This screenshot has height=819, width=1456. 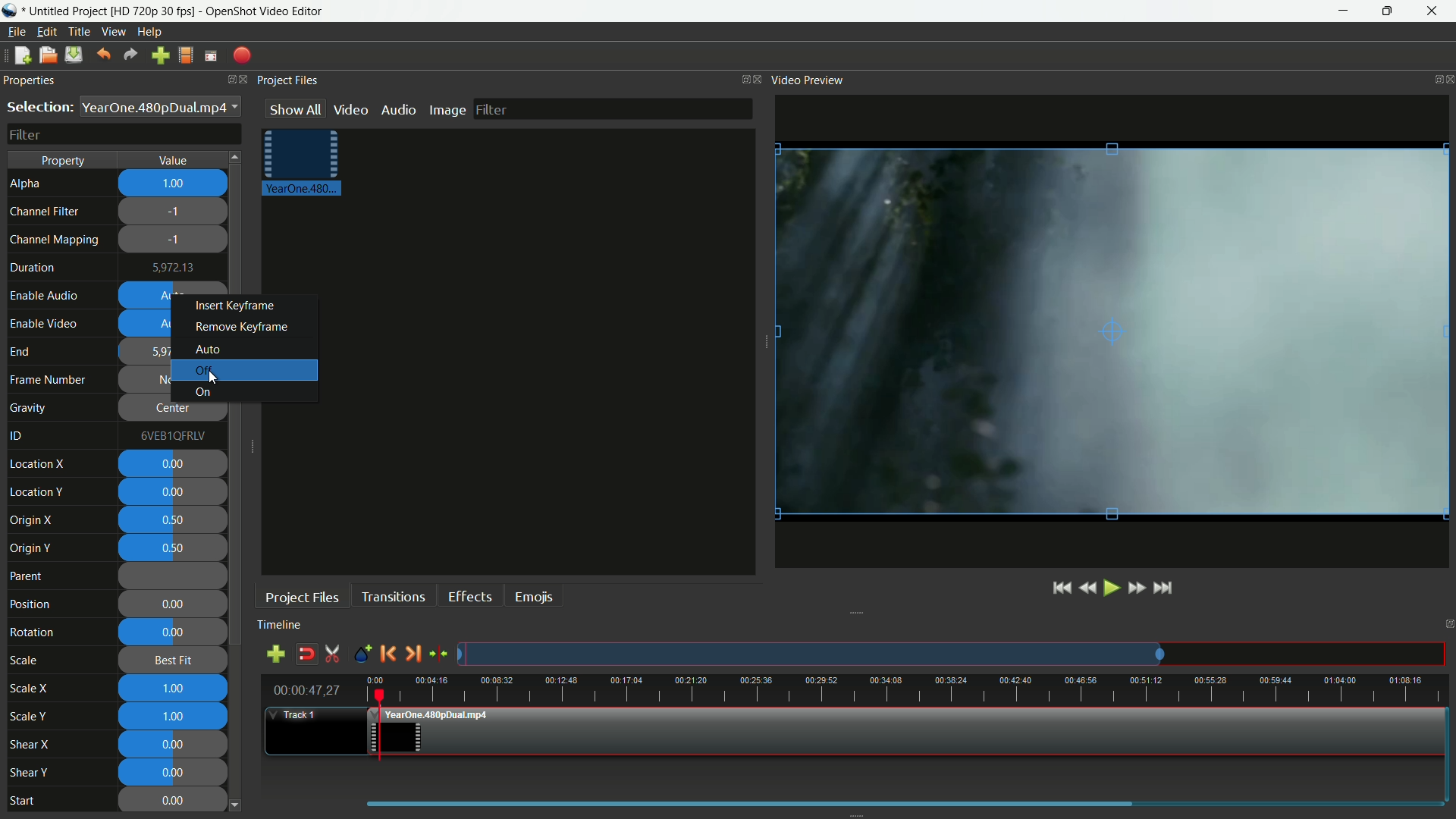 What do you see at coordinates (175, 185) in the screenshot?
I see `1.00` at bounding box center [175, 185].